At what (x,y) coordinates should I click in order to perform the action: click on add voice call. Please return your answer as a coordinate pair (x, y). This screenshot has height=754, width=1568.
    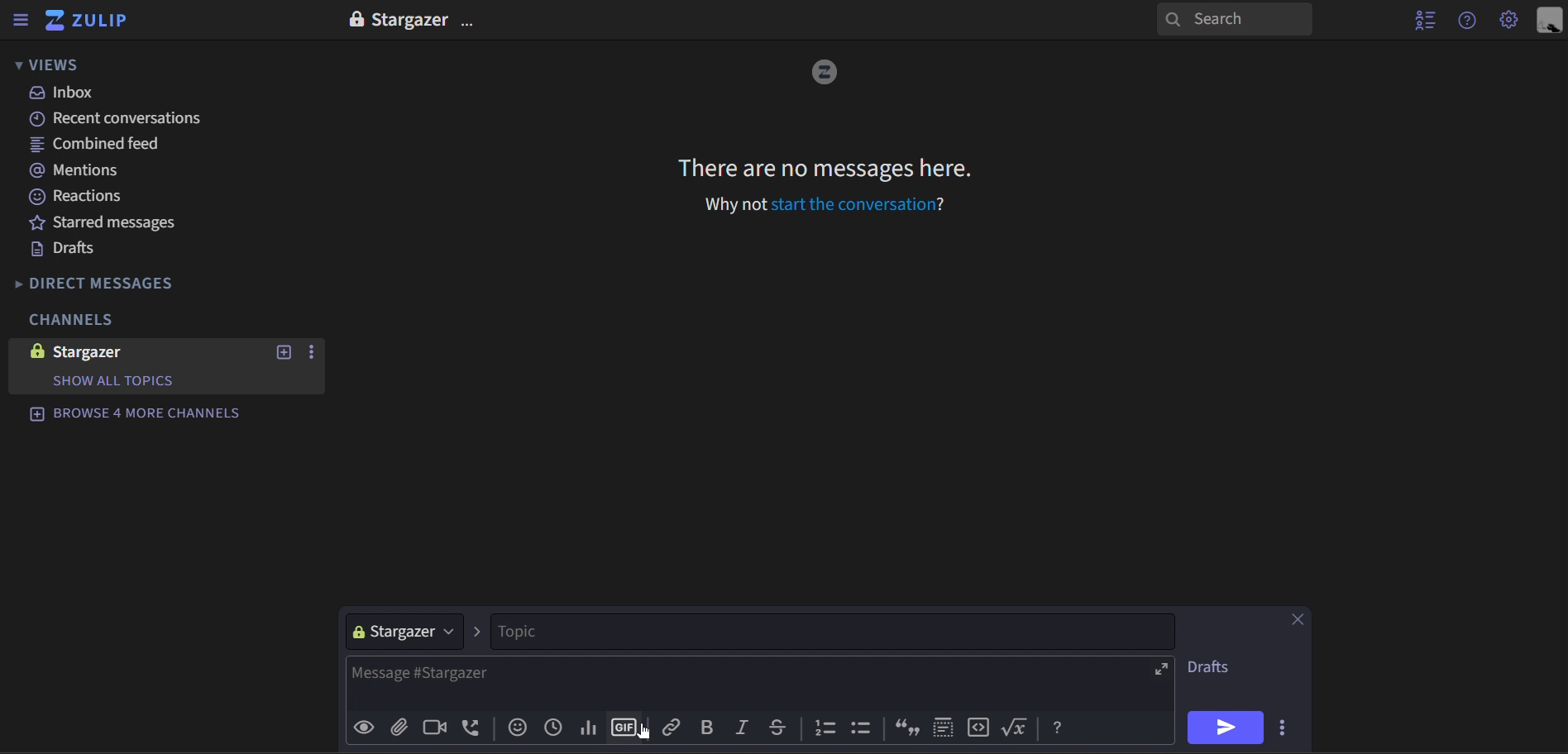
    Looking at the image, I should click on (478, 728).